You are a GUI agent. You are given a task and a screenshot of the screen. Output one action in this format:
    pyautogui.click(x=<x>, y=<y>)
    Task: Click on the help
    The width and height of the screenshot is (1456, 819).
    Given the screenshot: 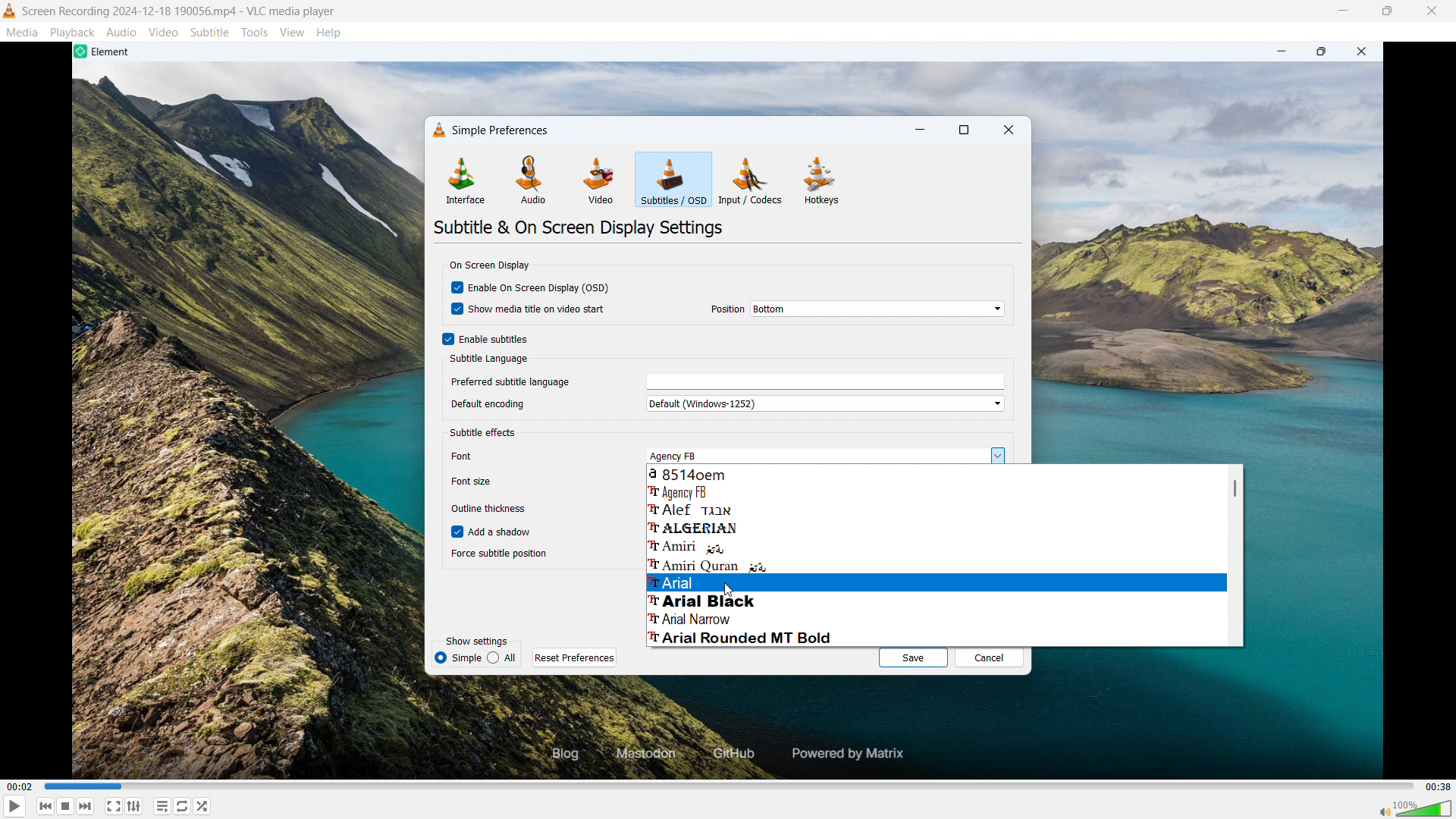 What is the action you would take?
    pyautogui.click(x=329, y=33)
    